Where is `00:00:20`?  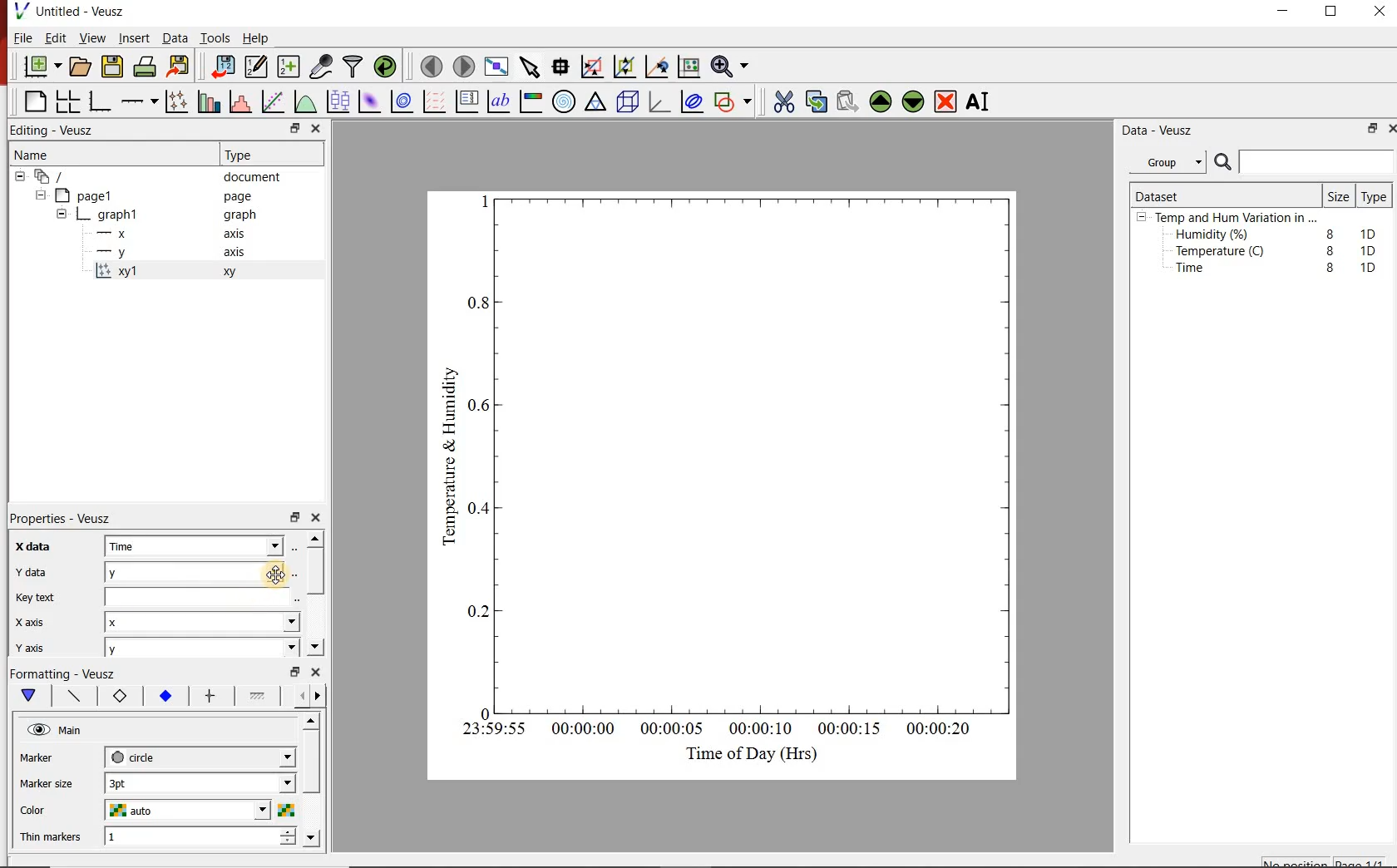
00:00:20 is located at coordinates (945, 730).